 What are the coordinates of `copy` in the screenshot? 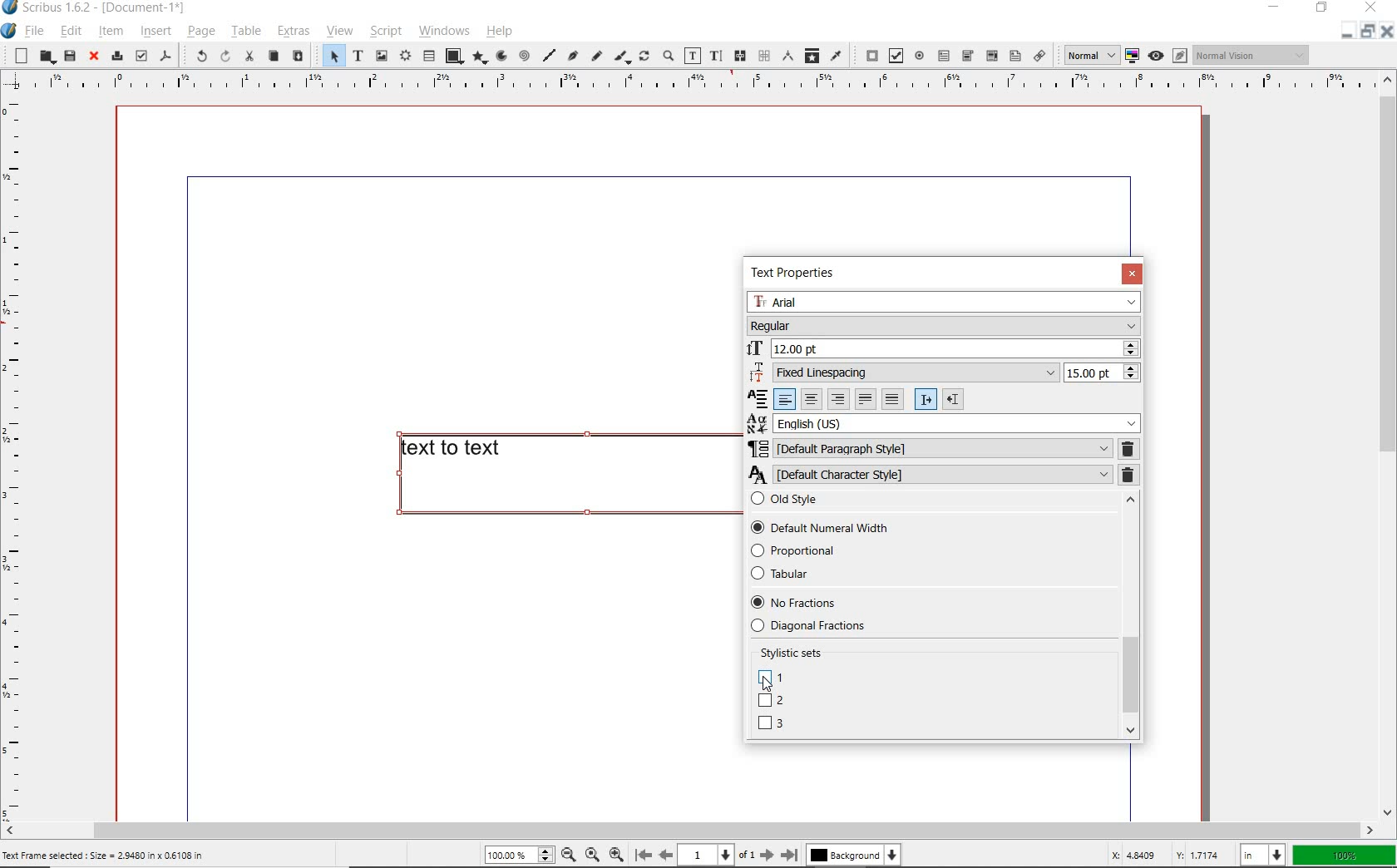 It's located at (273, 57).